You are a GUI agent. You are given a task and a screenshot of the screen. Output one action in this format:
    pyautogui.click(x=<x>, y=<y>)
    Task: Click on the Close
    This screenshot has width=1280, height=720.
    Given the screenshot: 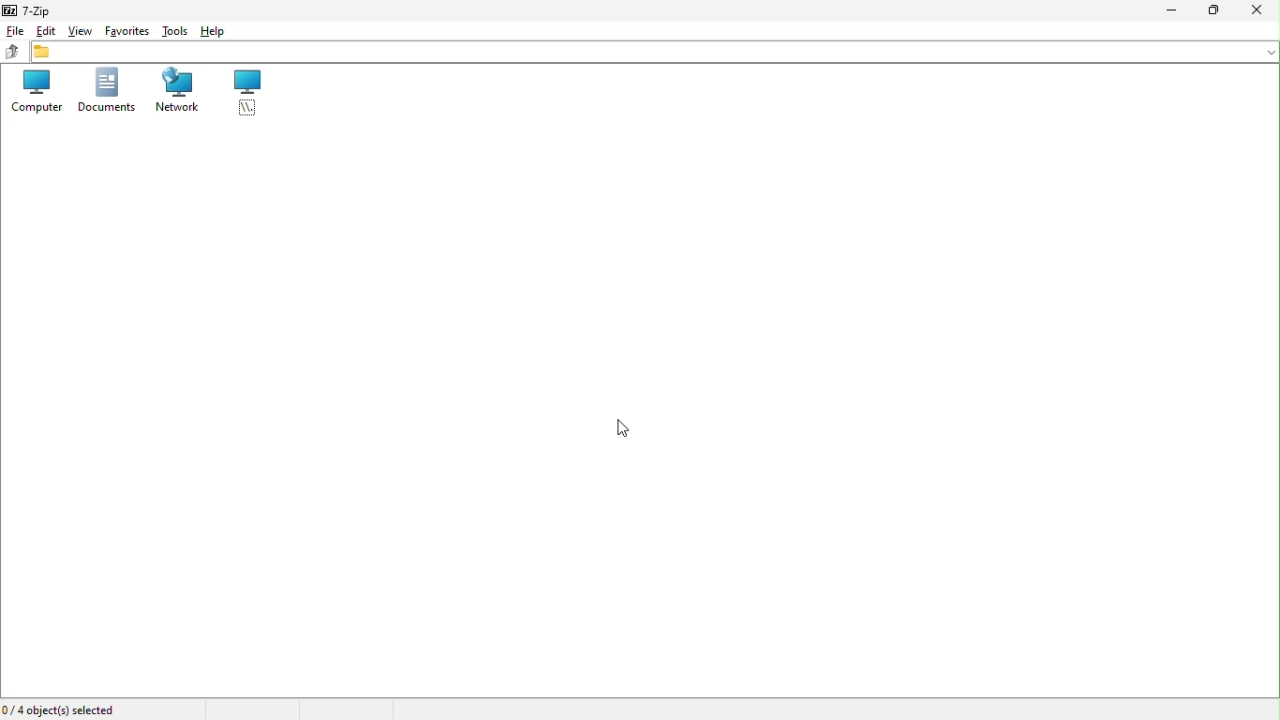 What is the action you would take?
    pyautogui.click(x=1260, y=10)
    